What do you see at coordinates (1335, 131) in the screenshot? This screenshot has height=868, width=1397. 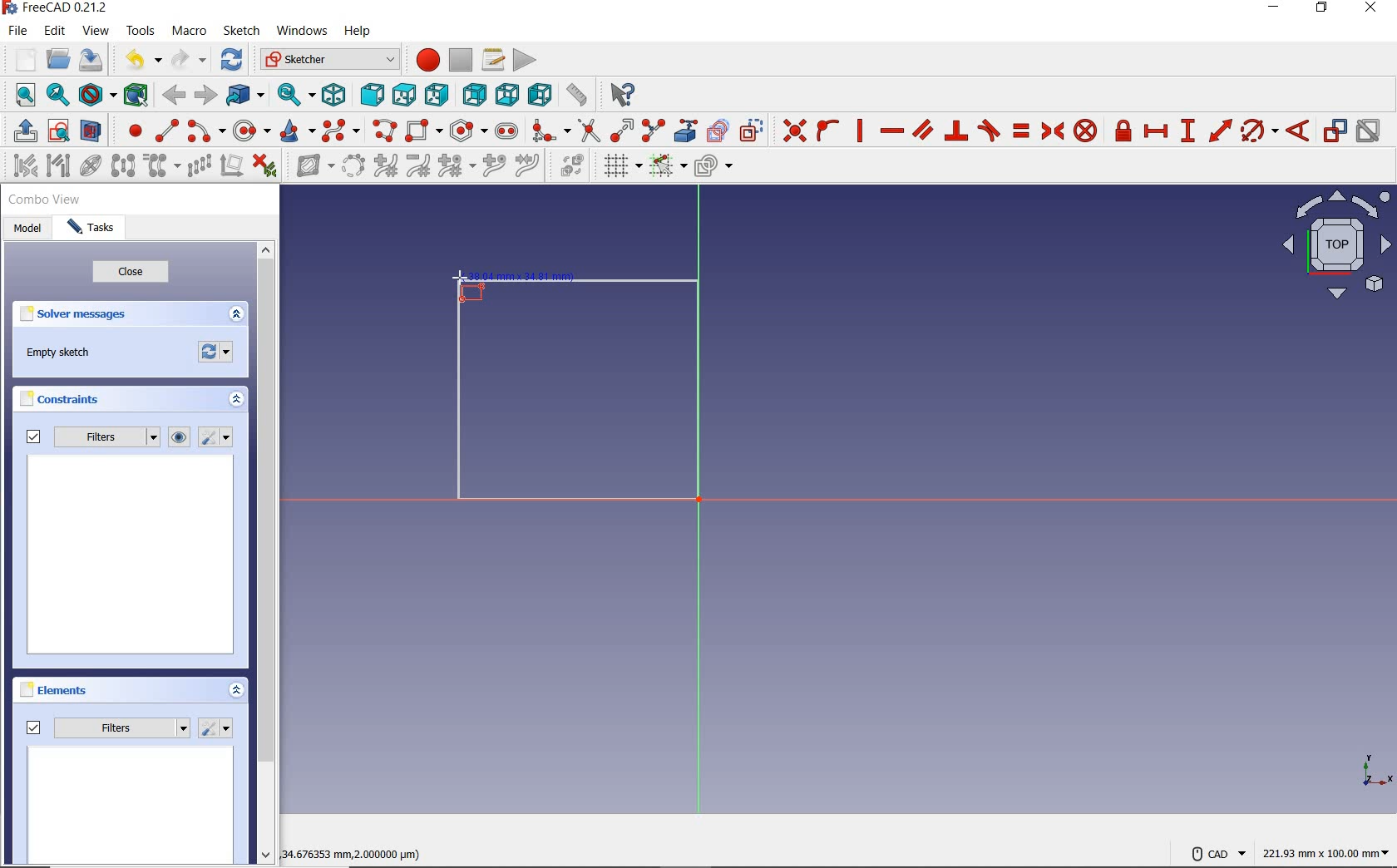 I see `toggle driving constraint` at bounding box center [1335, 131].